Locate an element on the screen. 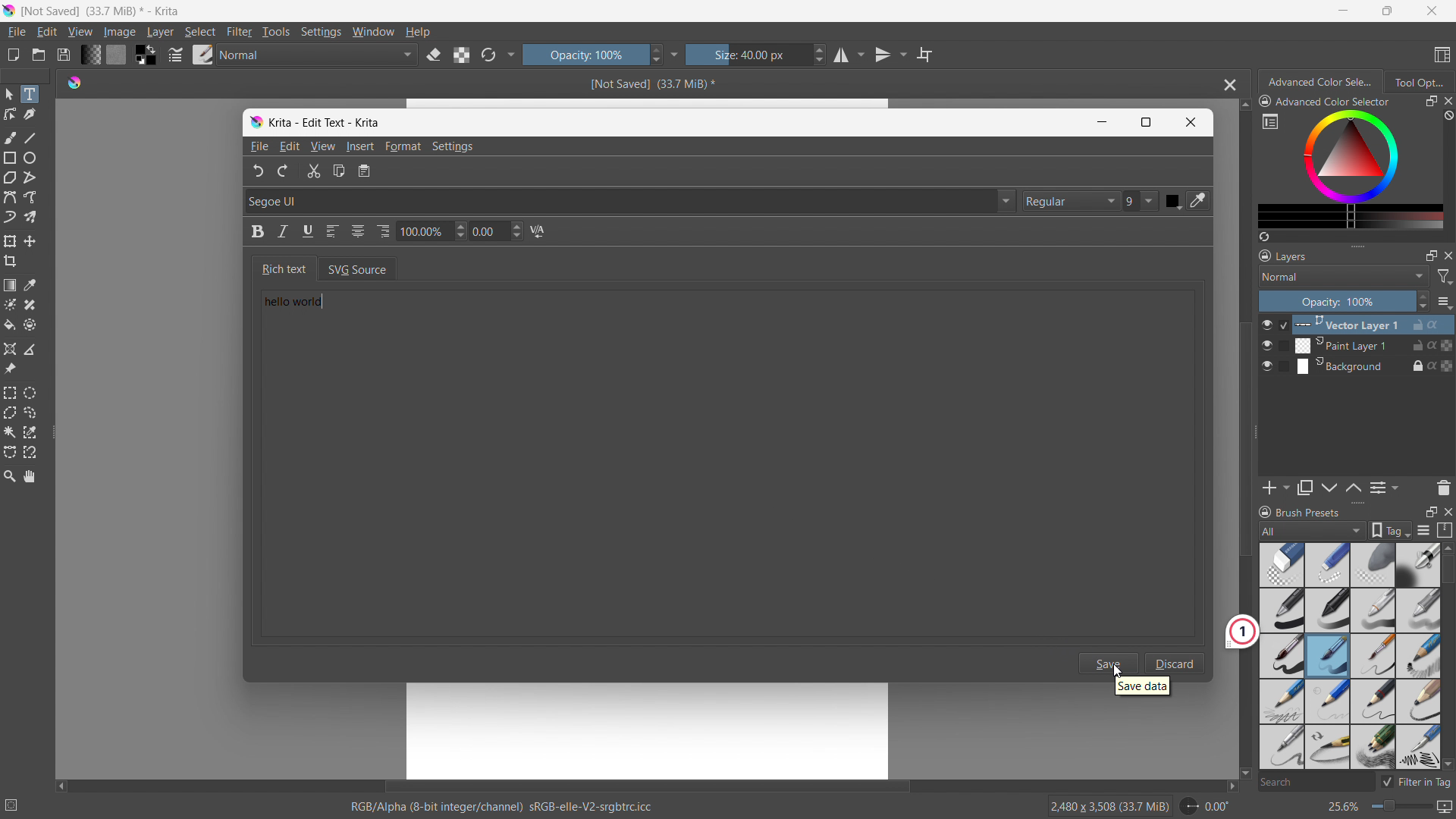 This screenshot has width=1456, height=819. light nib pencil is located at coordinates (1328, 701).